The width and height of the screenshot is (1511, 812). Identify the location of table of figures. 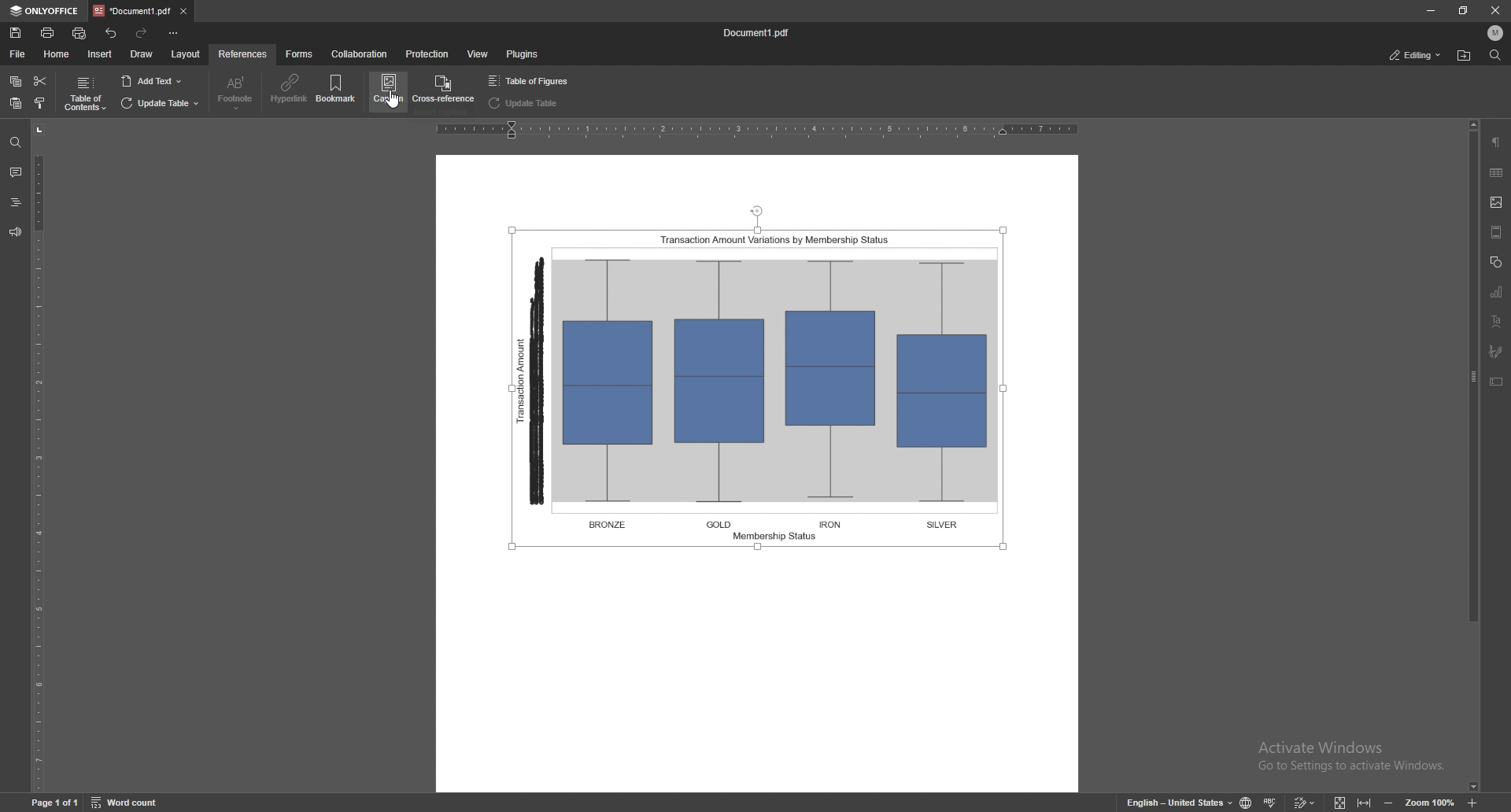
(532, 81).